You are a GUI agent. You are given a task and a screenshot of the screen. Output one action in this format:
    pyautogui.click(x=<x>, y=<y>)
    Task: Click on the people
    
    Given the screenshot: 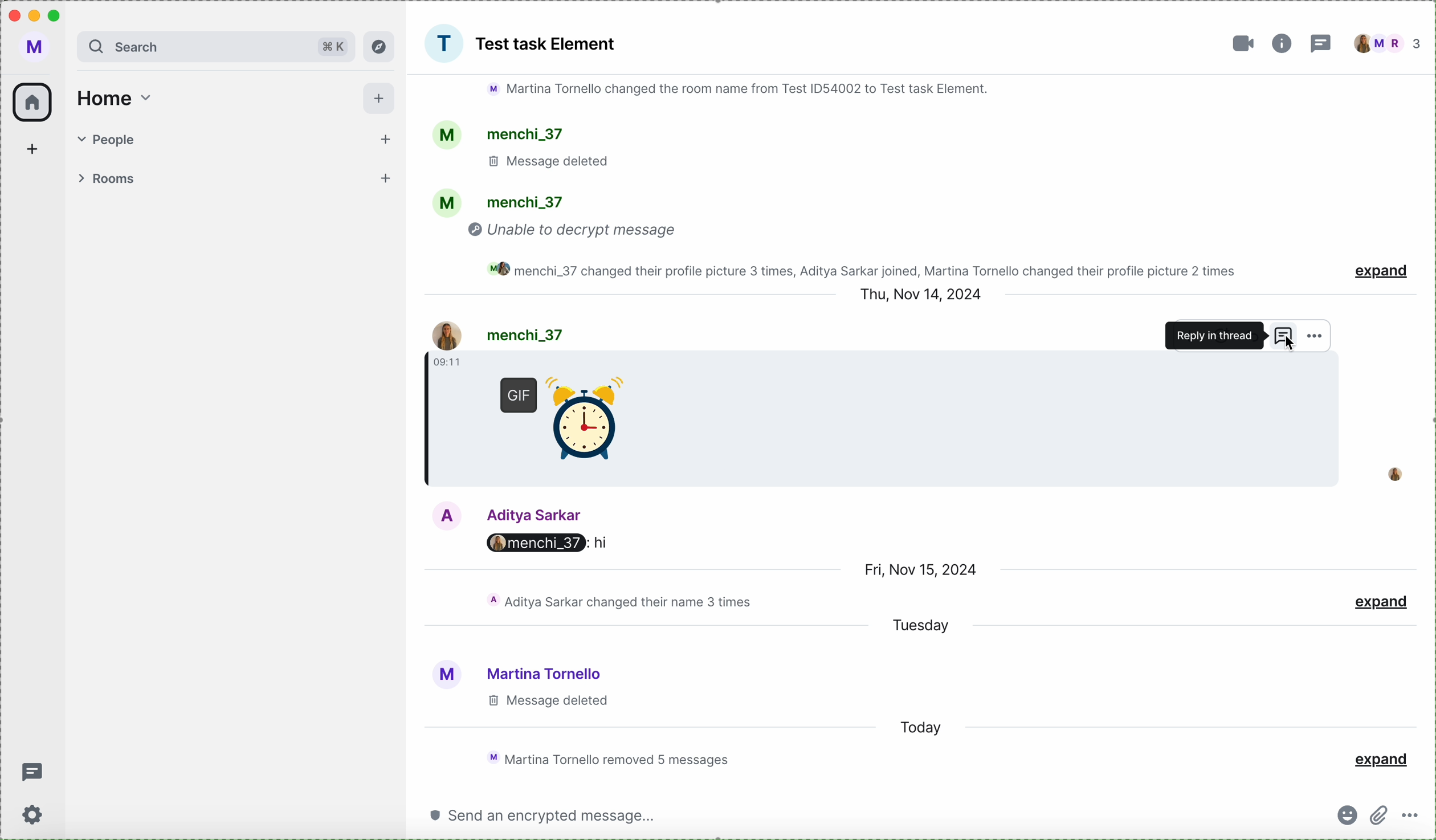 What is the action you would take?
    pyautogui.click(x=1388, y=43)
    